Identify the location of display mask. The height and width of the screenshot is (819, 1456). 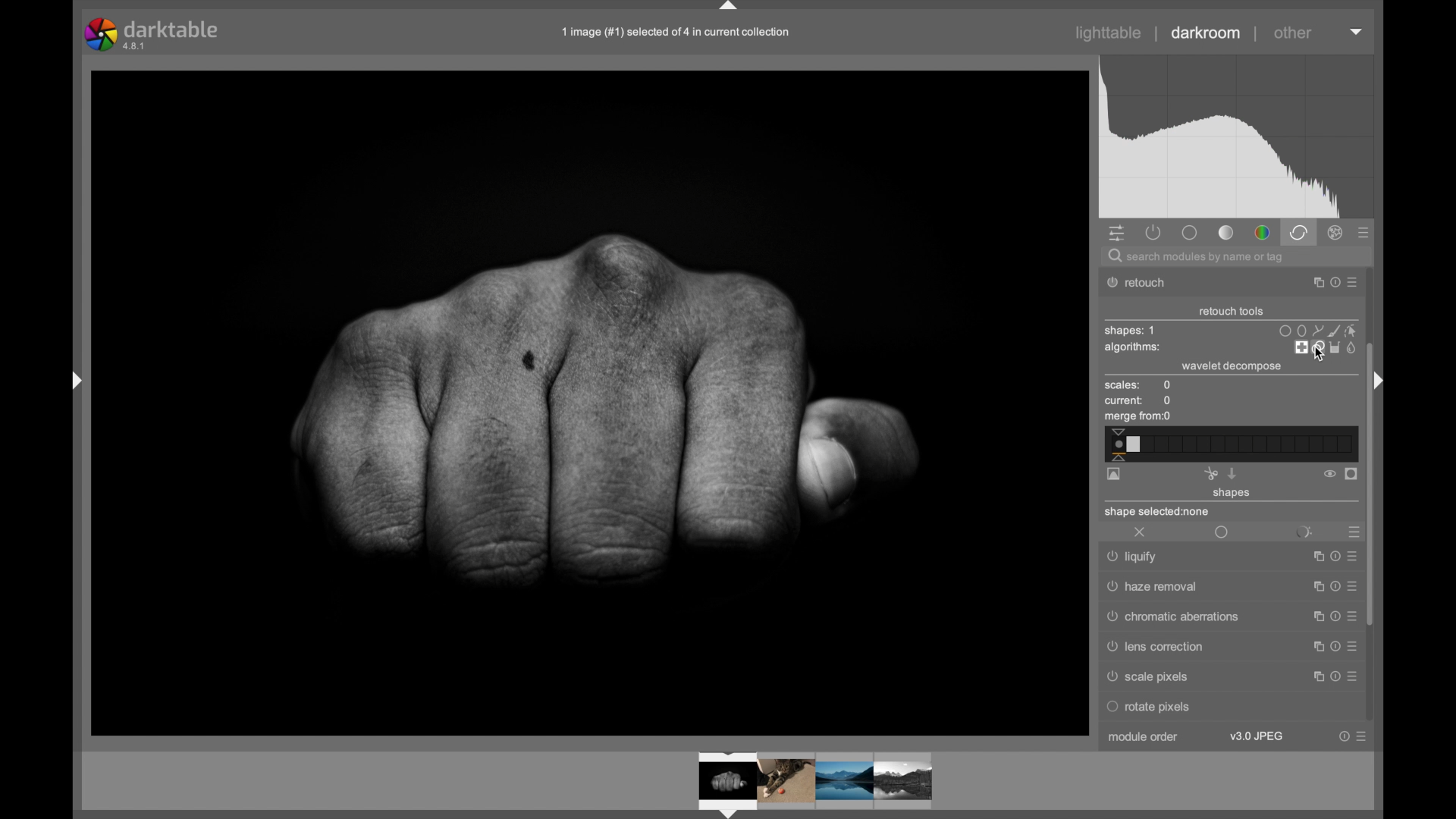
(1352, 475).